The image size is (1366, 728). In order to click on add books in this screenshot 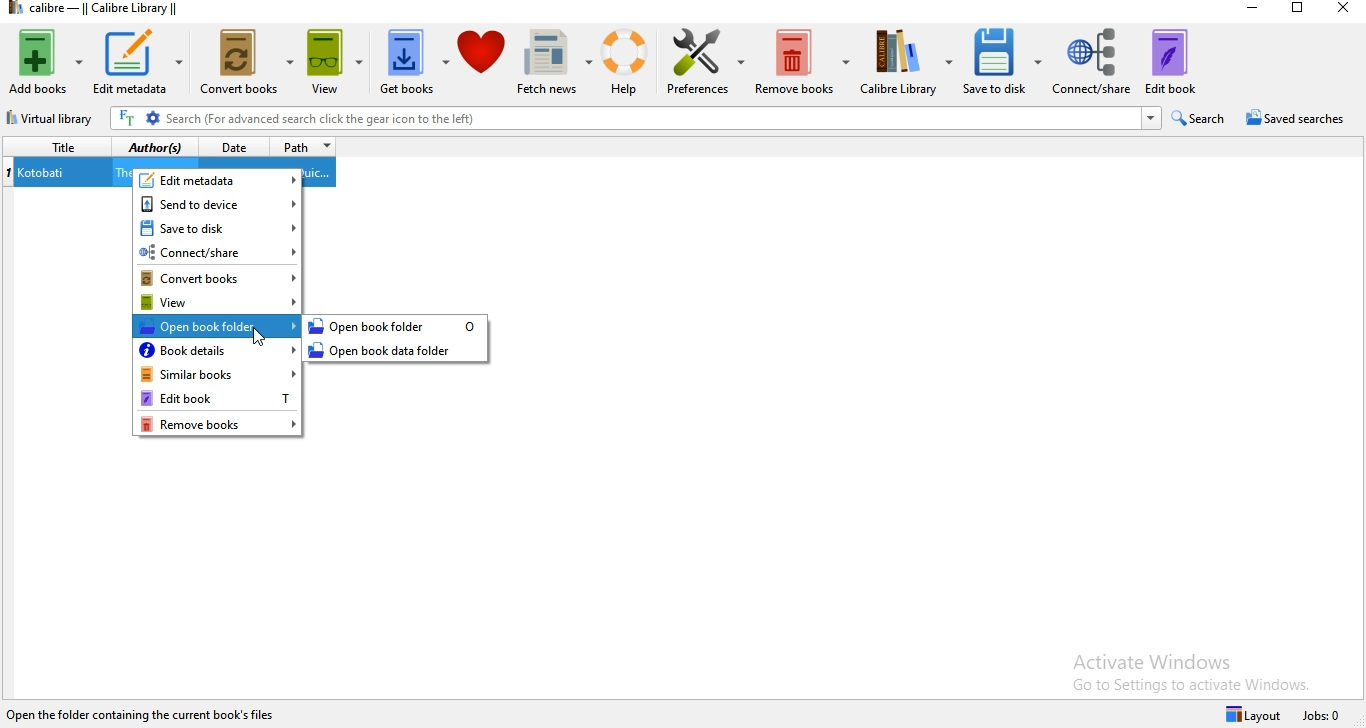, I will do `click(46, 61)`.